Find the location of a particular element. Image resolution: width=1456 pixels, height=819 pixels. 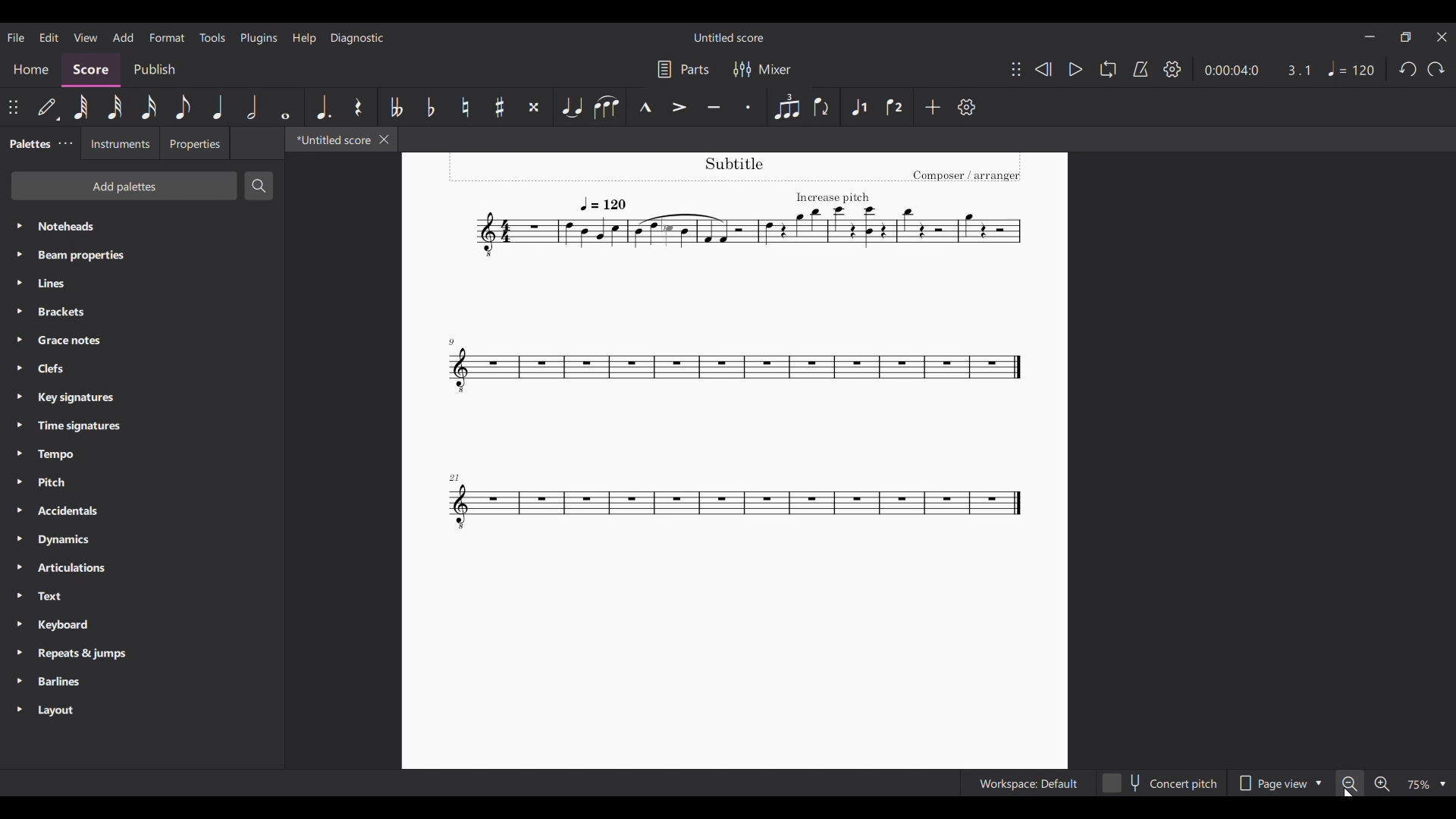

Toggle double flat is located at coordinates (396, 108).